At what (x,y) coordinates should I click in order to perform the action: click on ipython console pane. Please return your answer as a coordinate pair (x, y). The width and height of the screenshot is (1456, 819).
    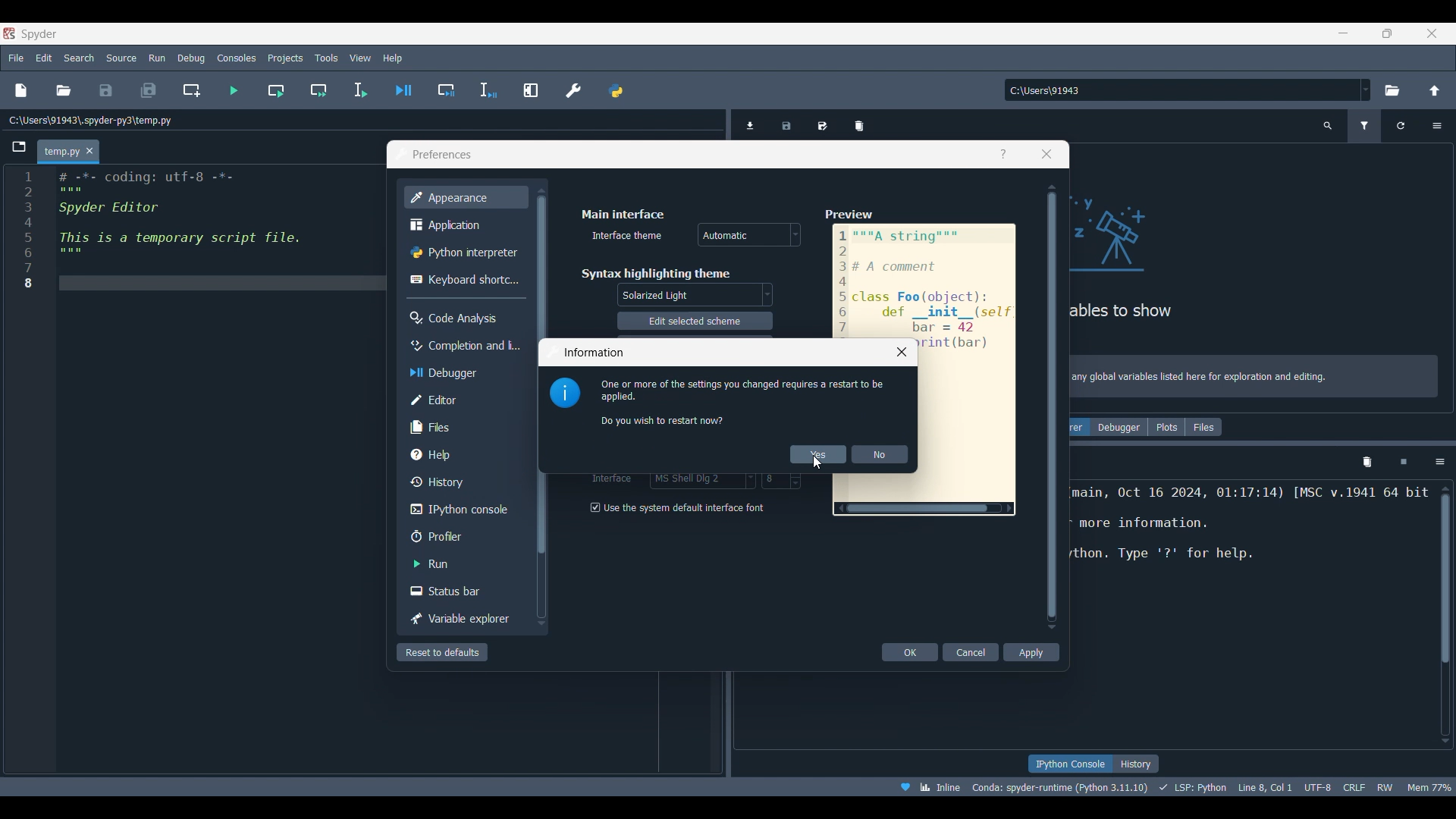
    Looking at the image, I should click on (1250, 538).